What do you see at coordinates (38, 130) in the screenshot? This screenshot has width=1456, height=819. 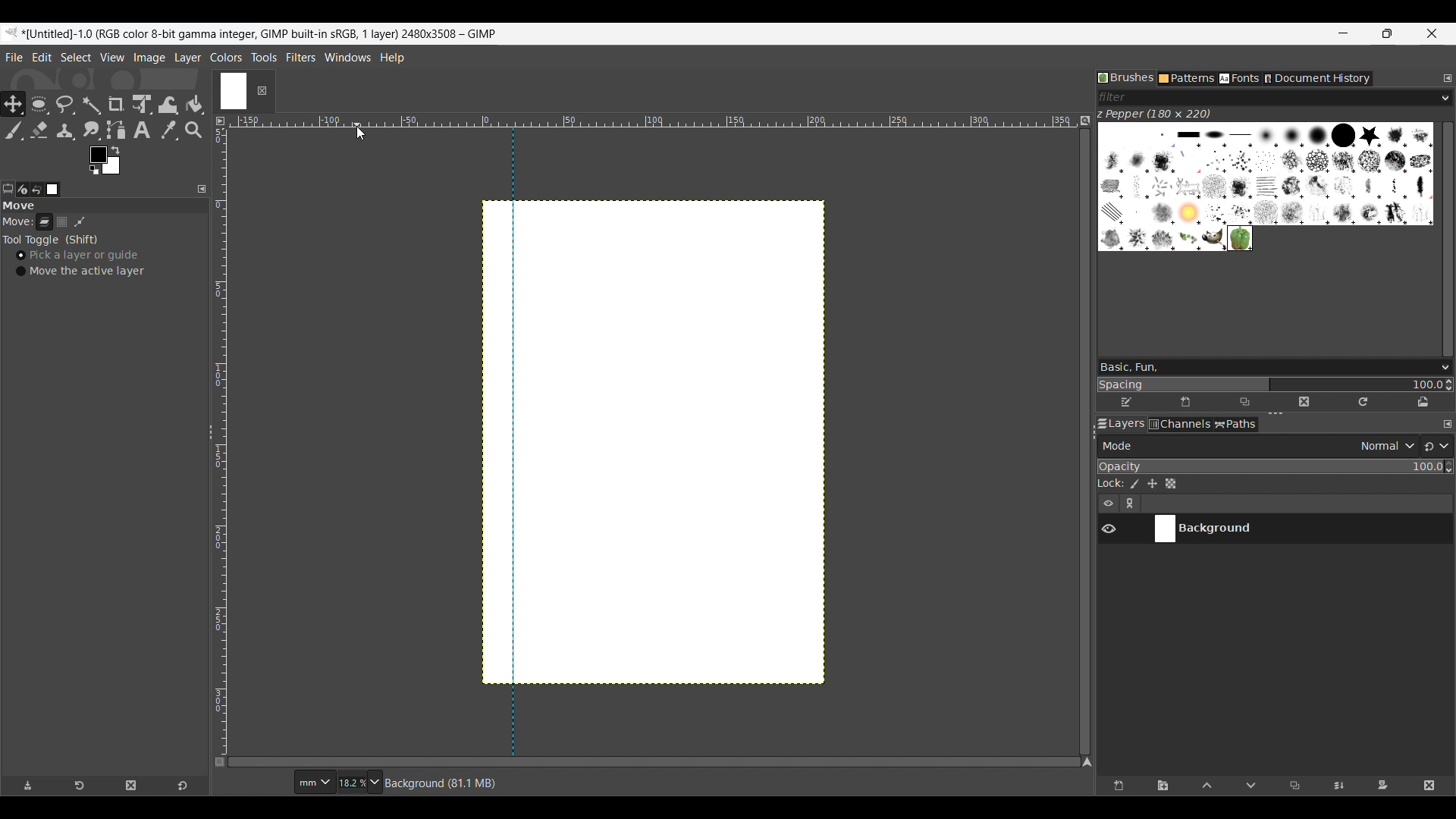 I see `Eraser tool` at bounding box center [38, 130].